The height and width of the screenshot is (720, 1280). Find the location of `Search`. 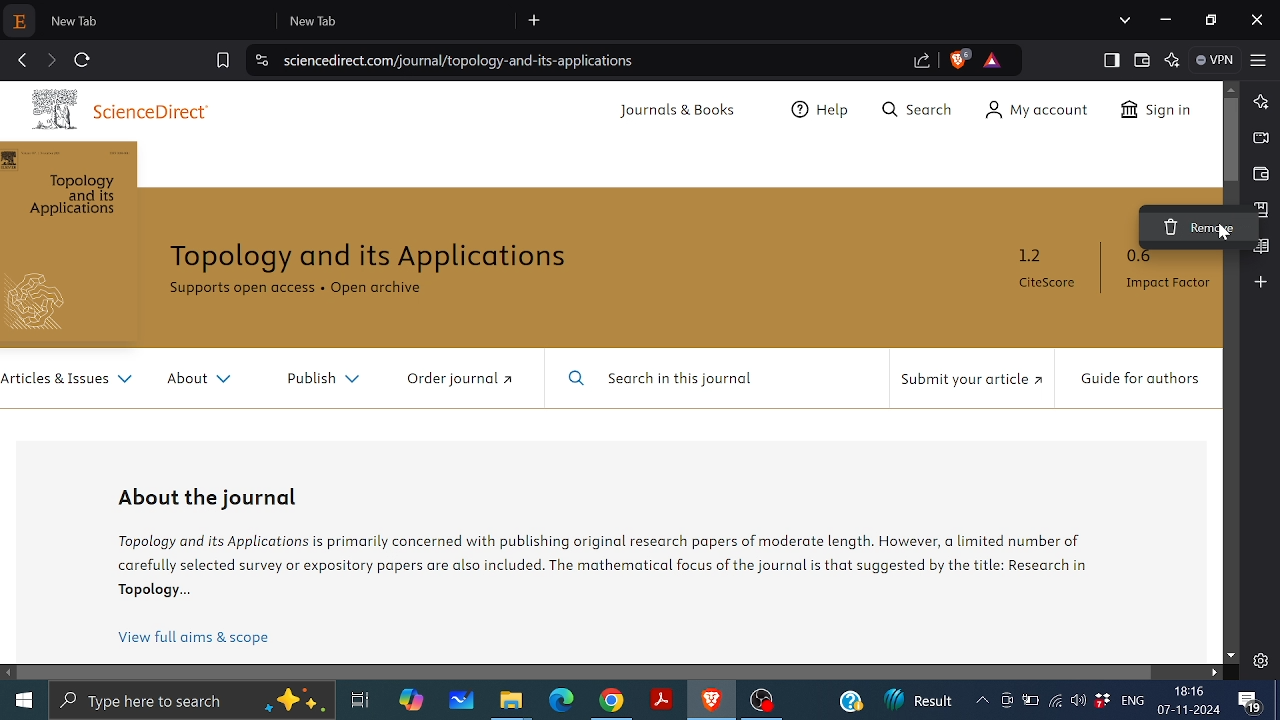

Search is located at coordinates (914, 112).